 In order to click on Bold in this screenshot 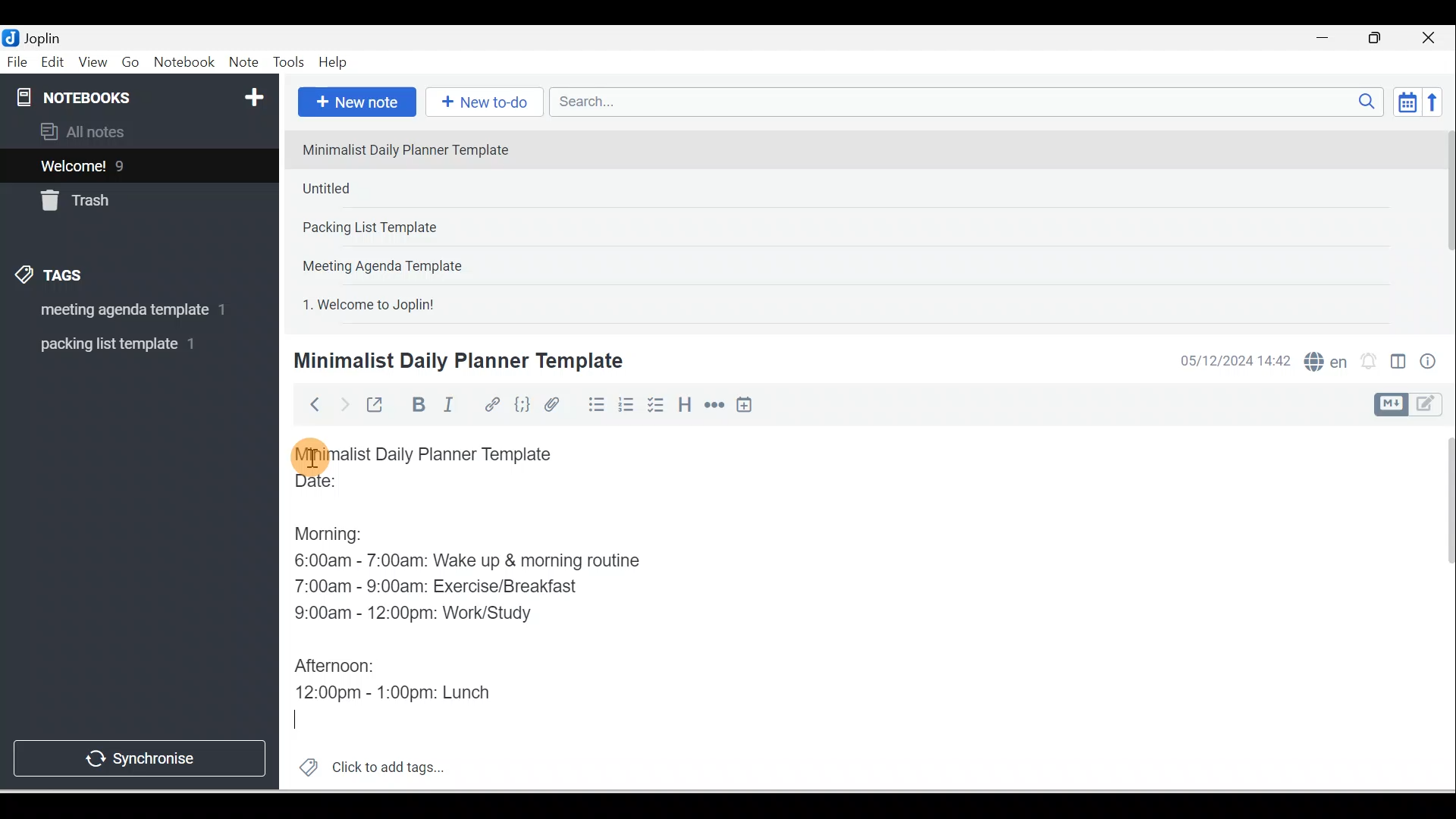, I will do `click(416, 405)`.